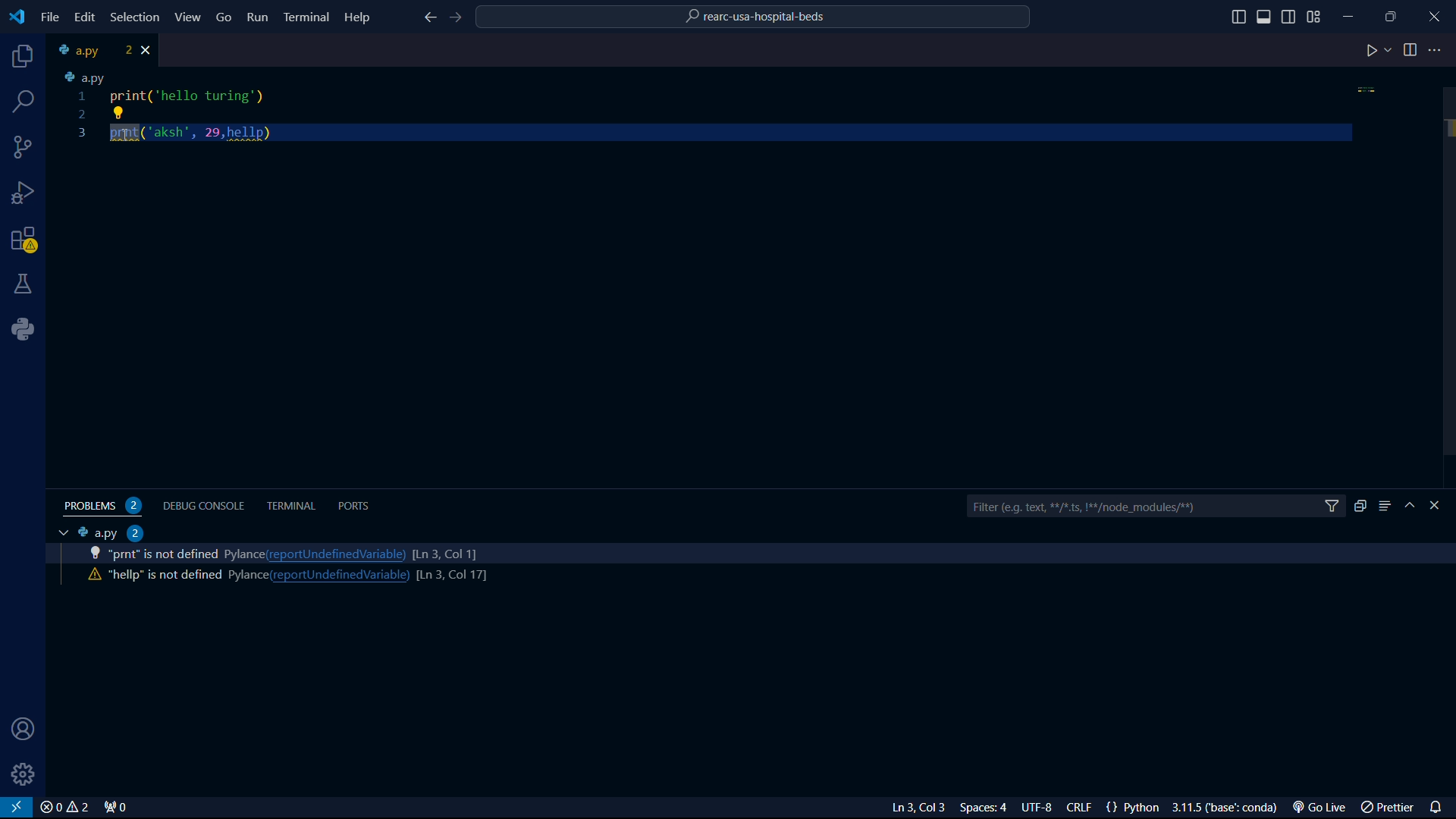  What do you see at coordinates (27, 190) in the screenshot?
I see `bug` at bounding box center [27, 190].